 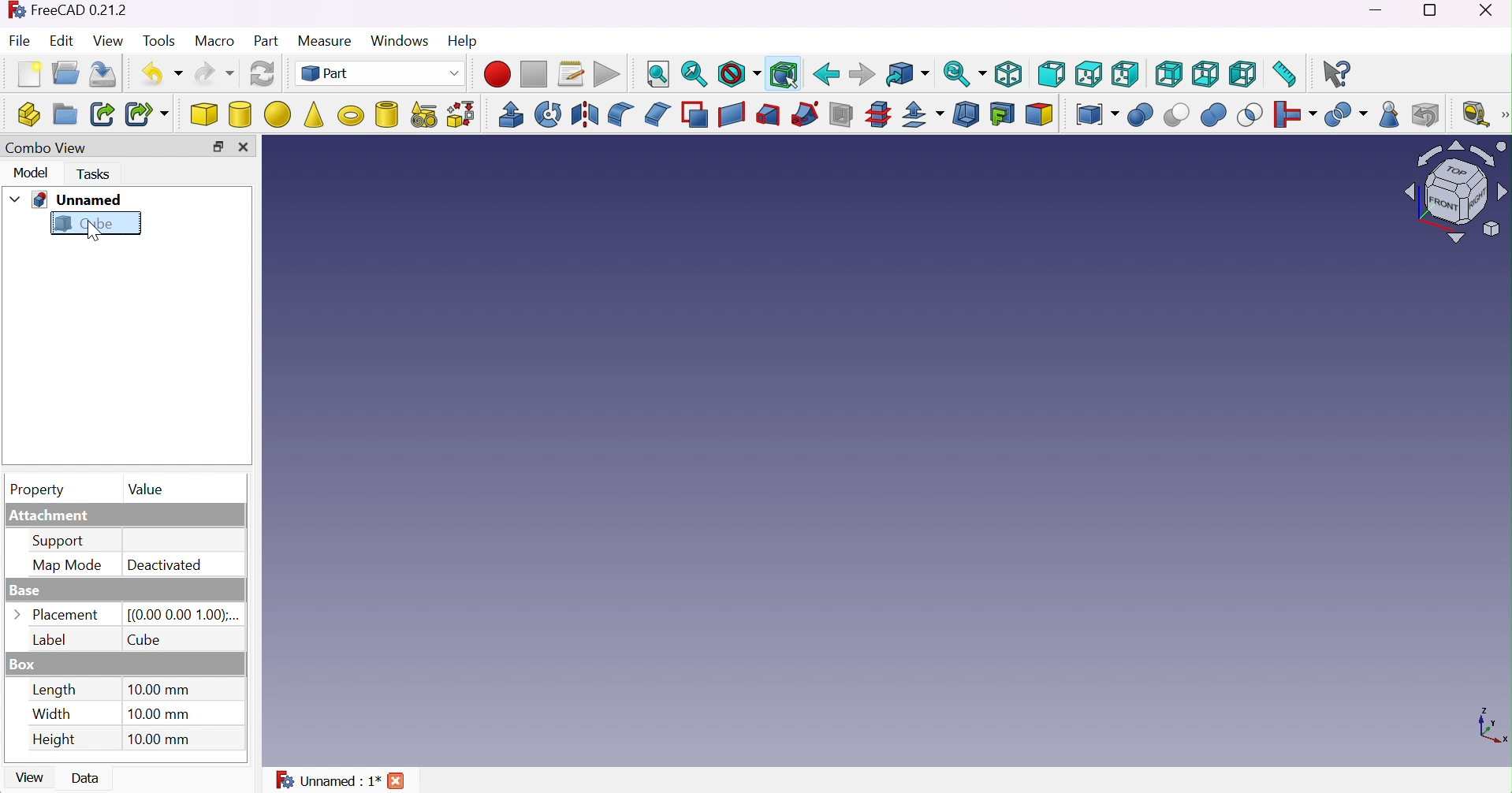 I want to click on What's this?, so click(x=1339, y=75).